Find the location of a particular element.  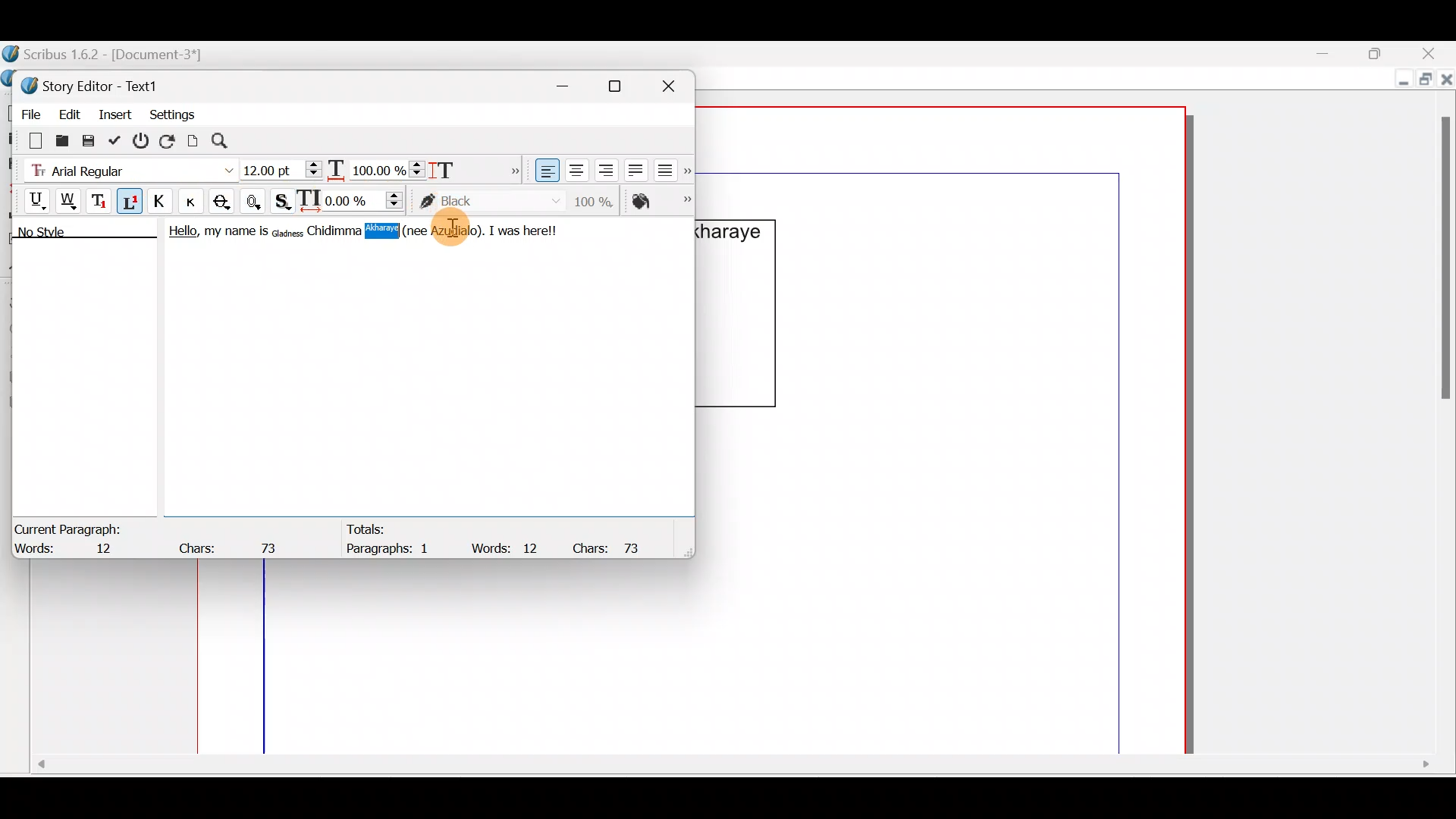

Current Paragraph: is located at coordinates (70, 527).